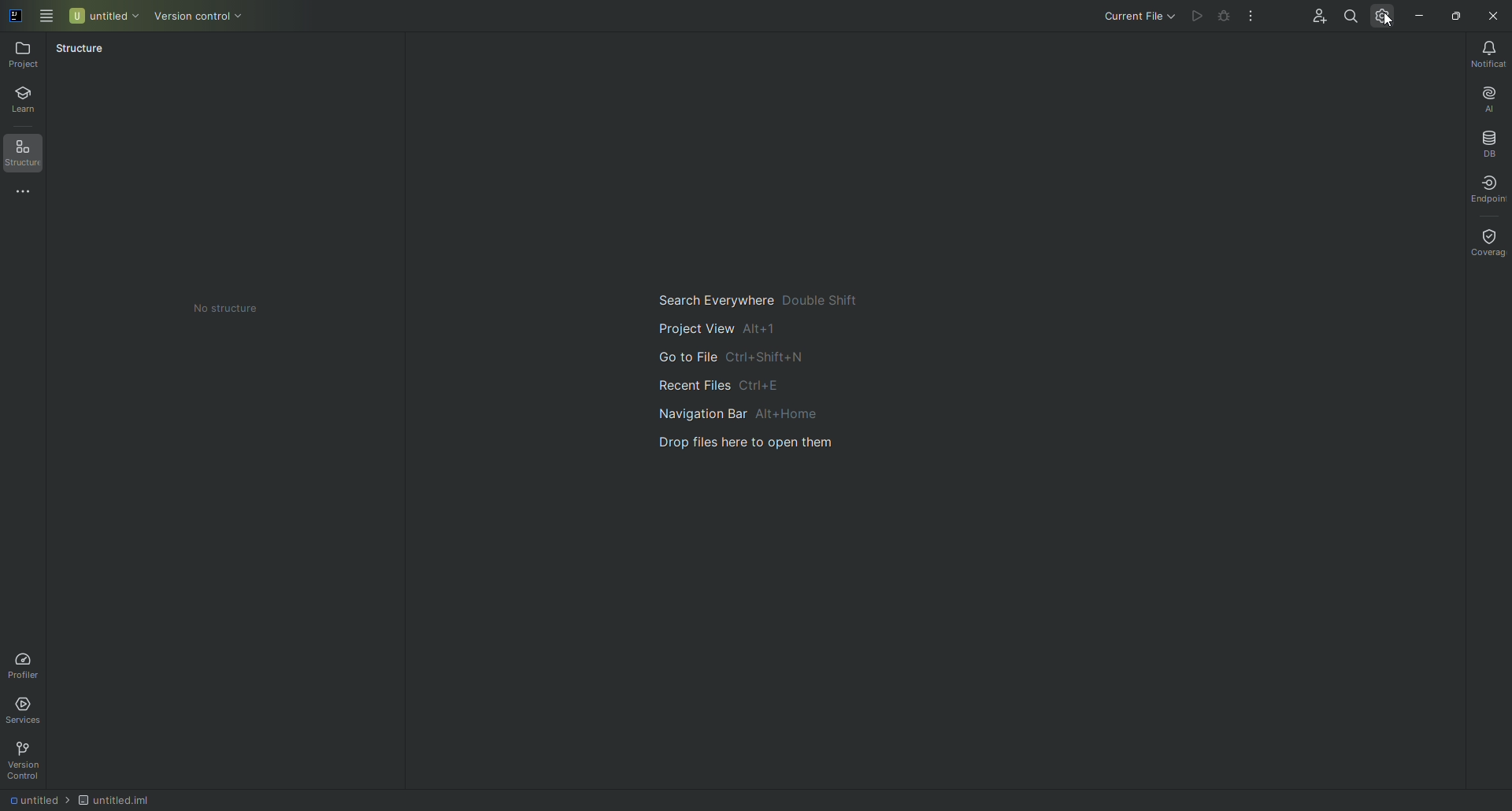 Image resolution: width=1512 pixels, height=811 pixels. What do you see at coordinates (746, 376) in the screenshot?
I see `Main guide to search and navigate files` at bounding box center [746, 376].